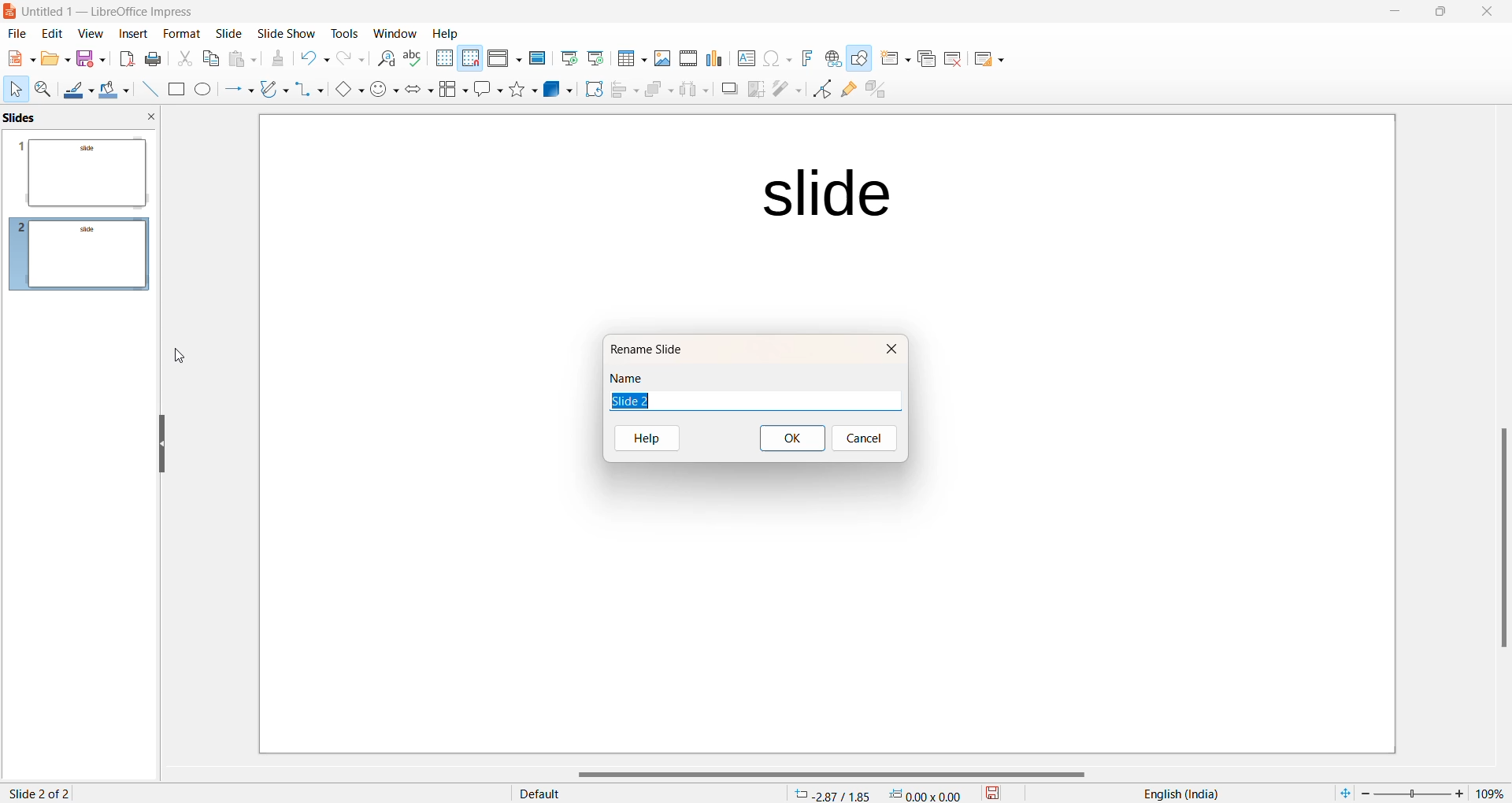  What do you see at coordinates (631, 378) in the screenshot?
I see `name heading` at bounding box center [631, 378].